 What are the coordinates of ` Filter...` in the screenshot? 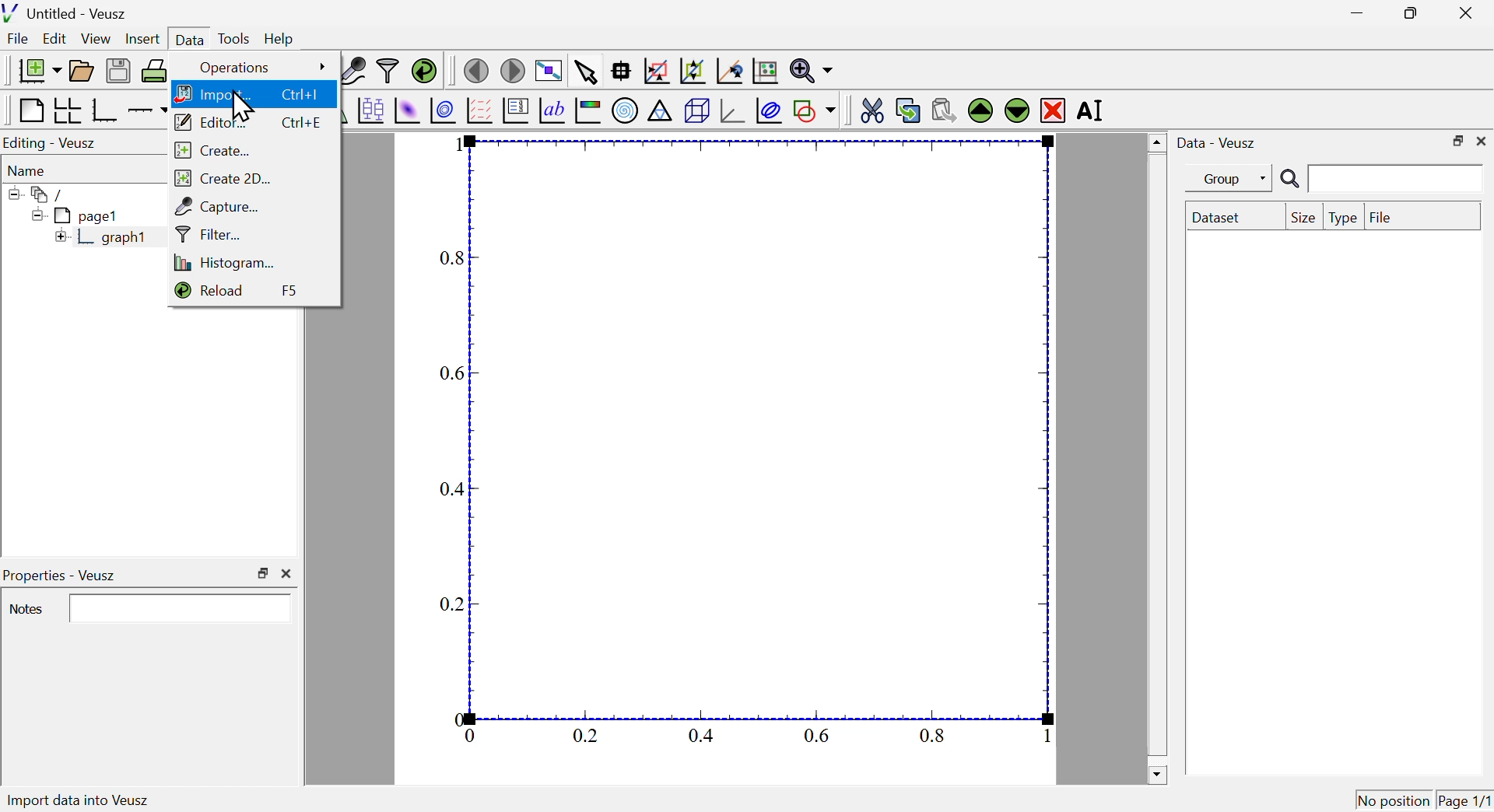 It's located at (209, 234).